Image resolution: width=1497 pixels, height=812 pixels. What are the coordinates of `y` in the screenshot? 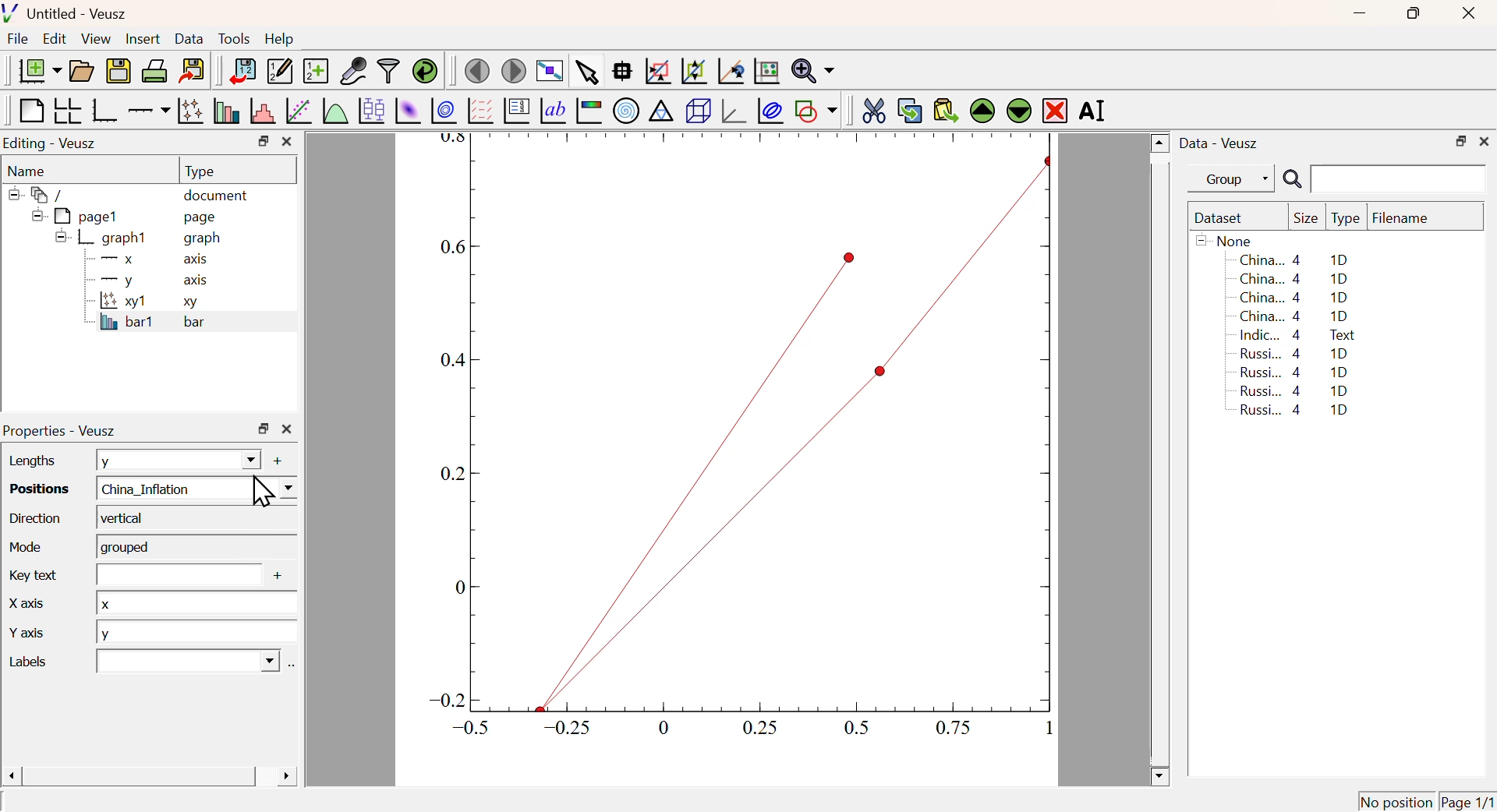 It's located at (193, 633).